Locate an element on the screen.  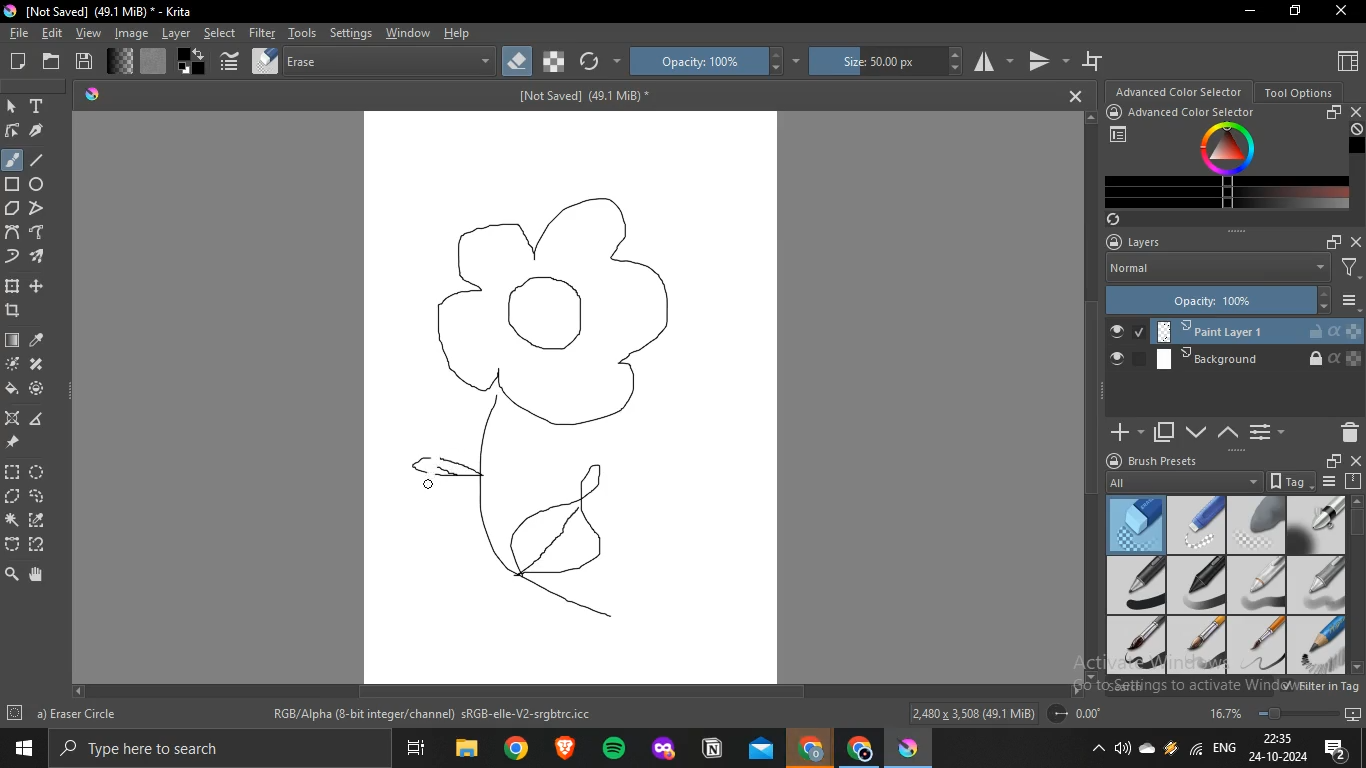
view is located at coordinates (87, 34).